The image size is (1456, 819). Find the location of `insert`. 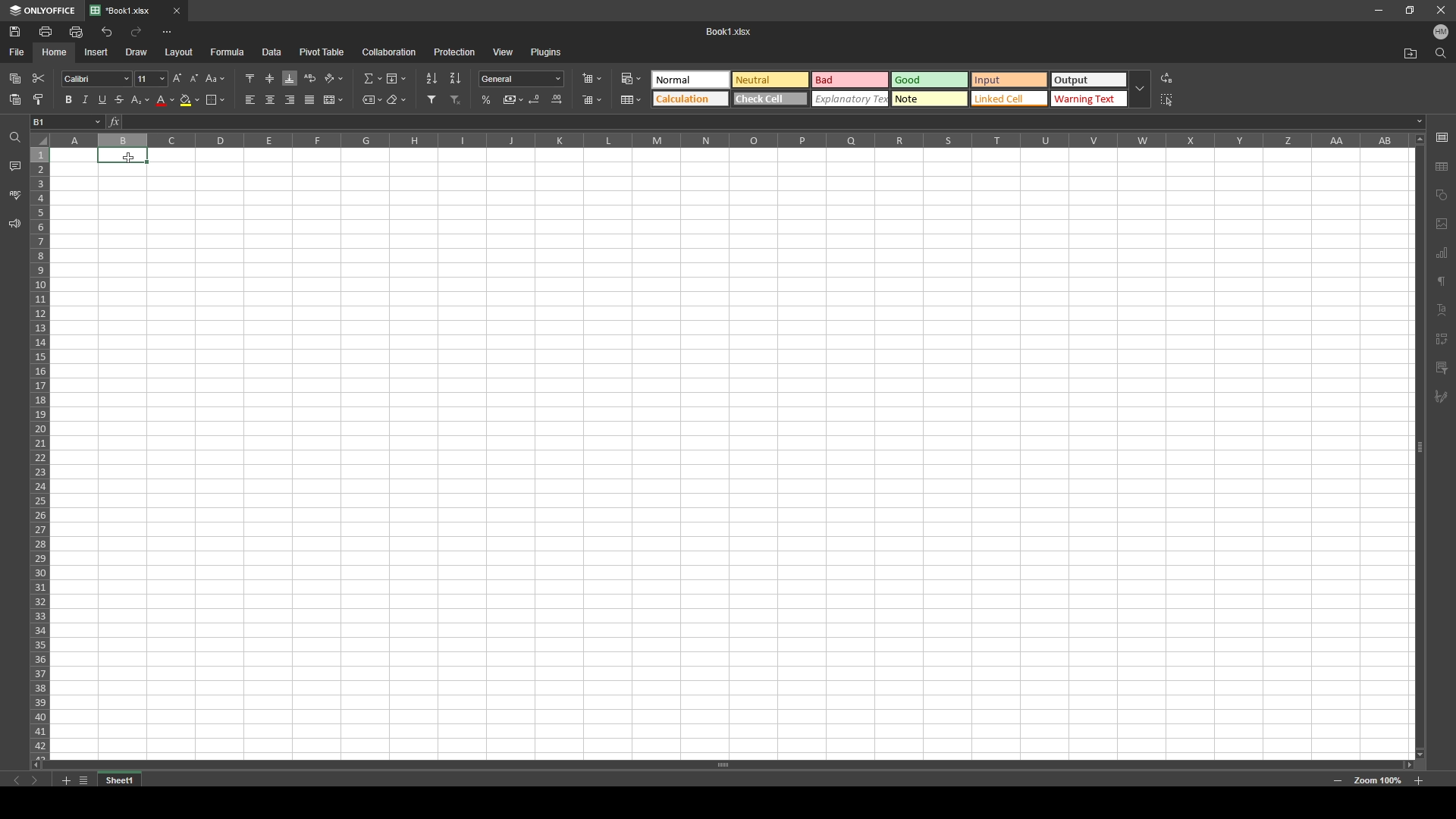

insert is located at coordinates (97, 52).